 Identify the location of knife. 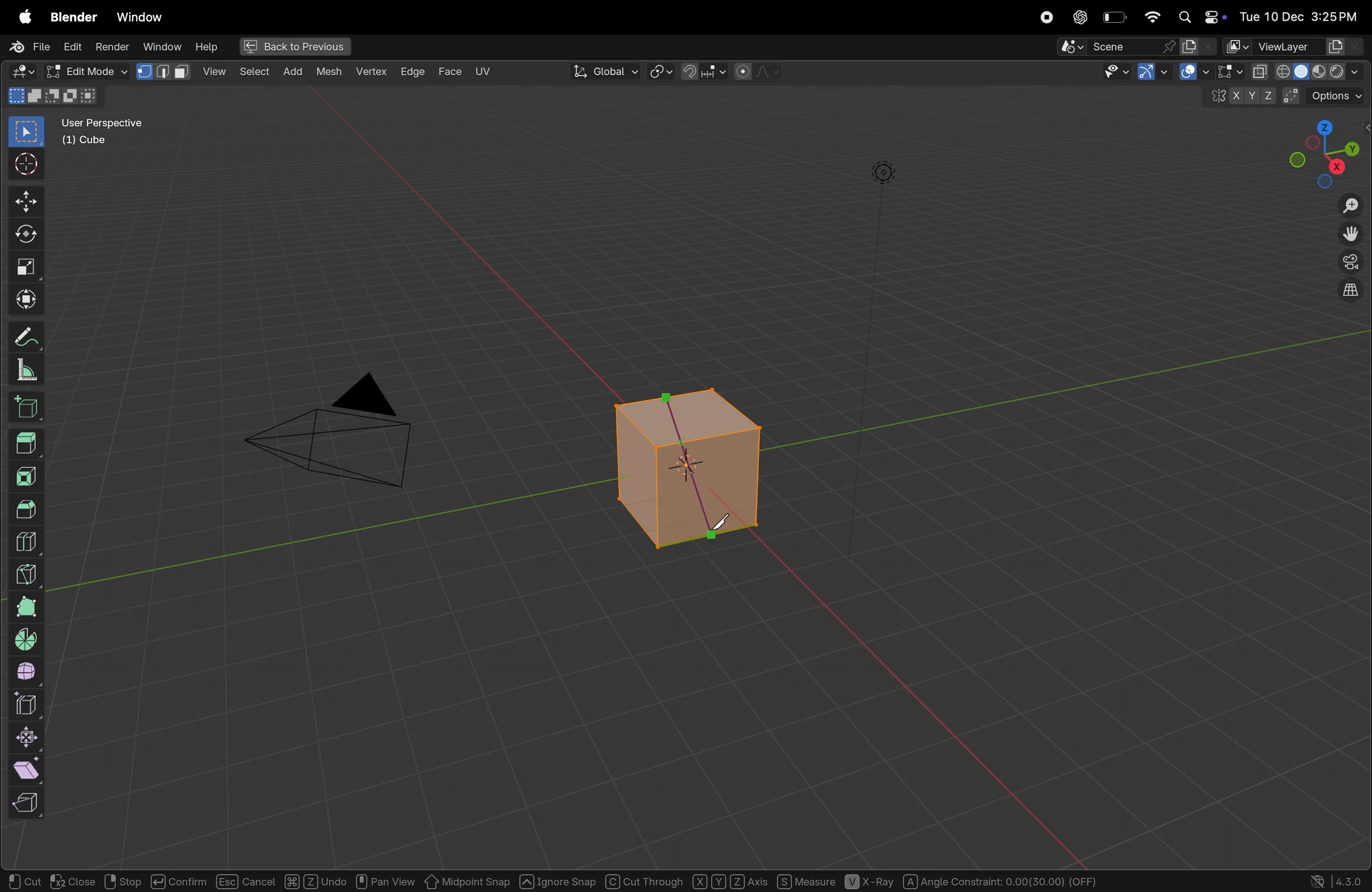
(677, 391).